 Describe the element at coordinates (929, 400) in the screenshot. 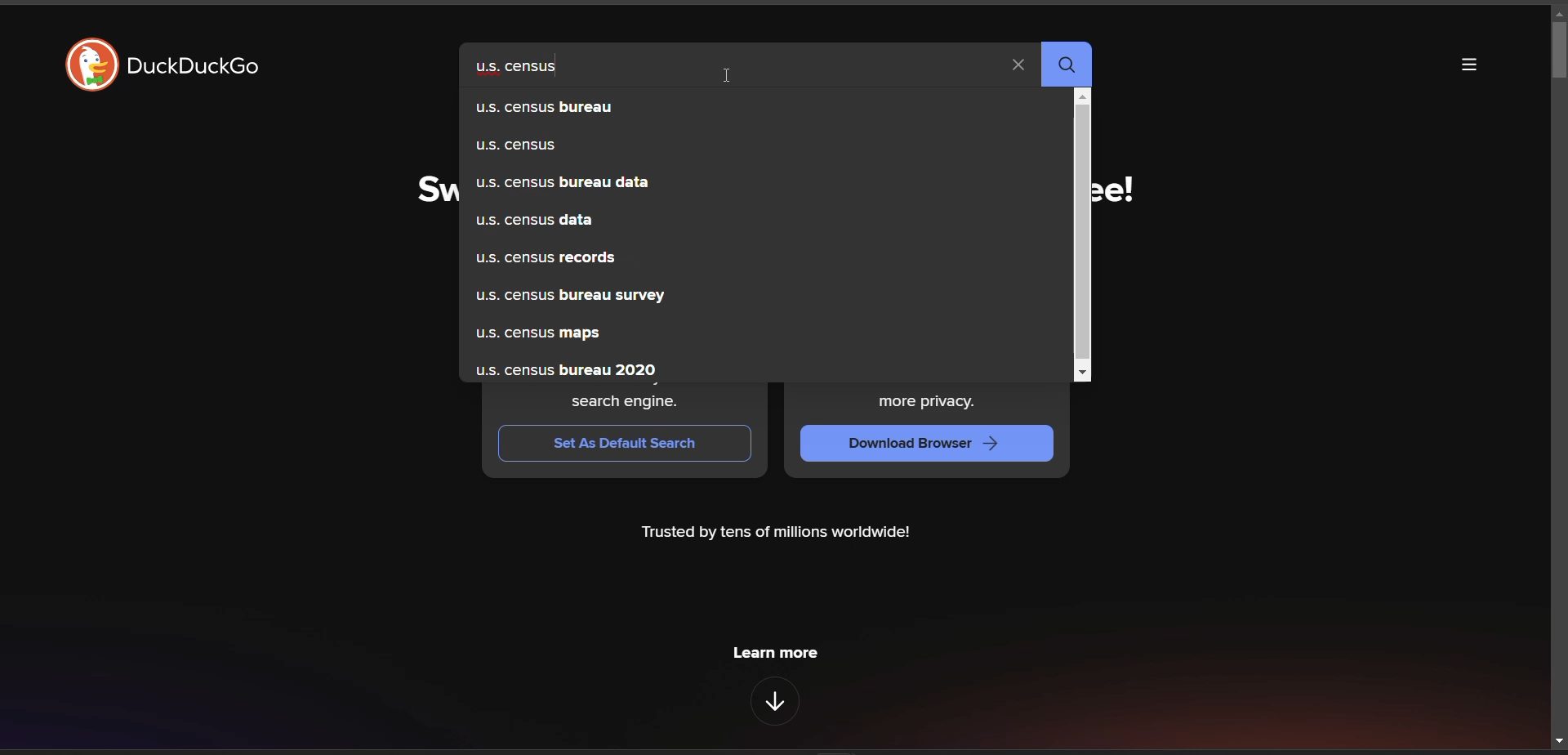

I see `Get our free browser for even
more privacy.` at that location.